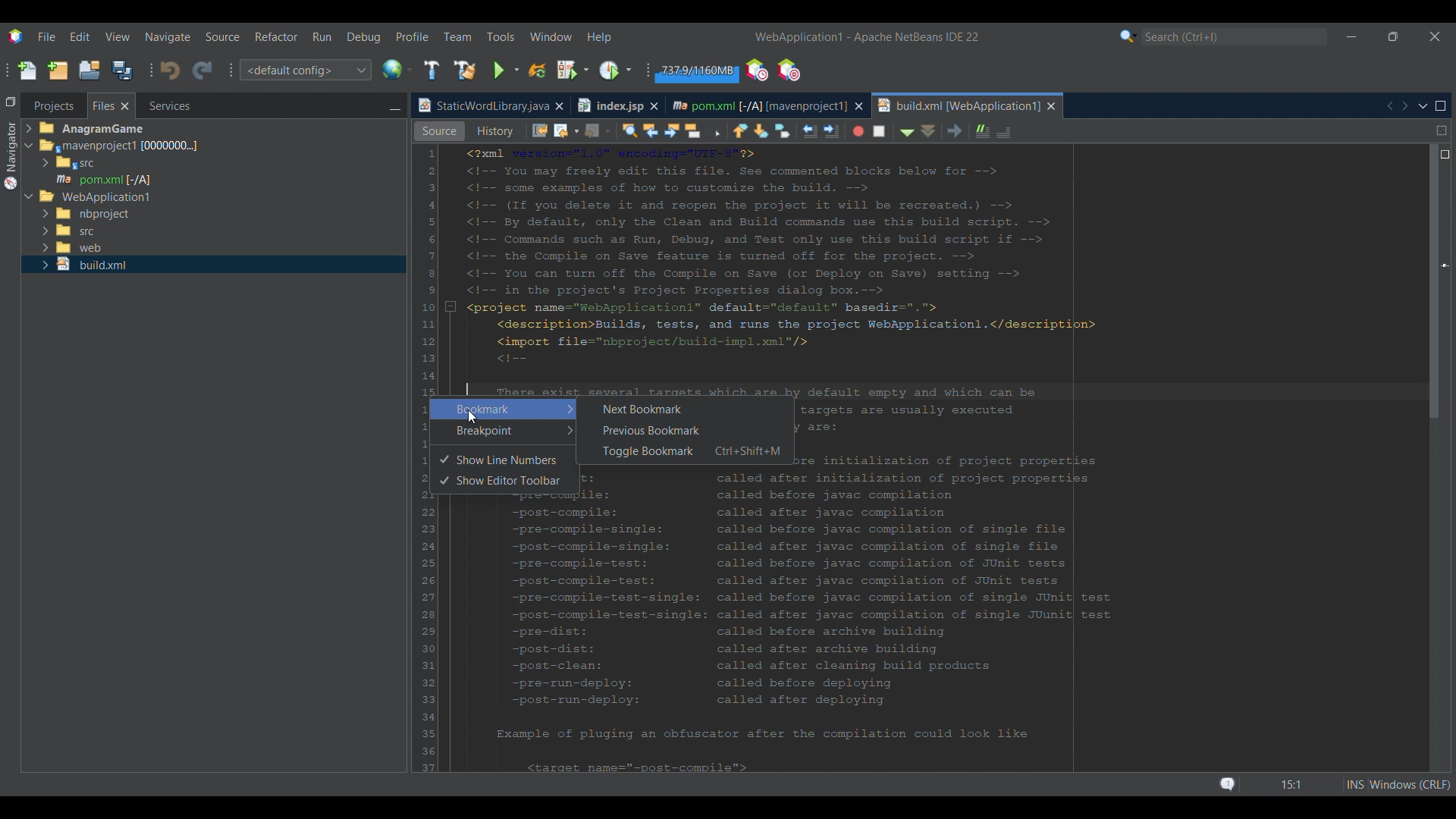 This screenshot has height=819, width=1456. I want to click on Show in smaller tab, so click(1393, 36).